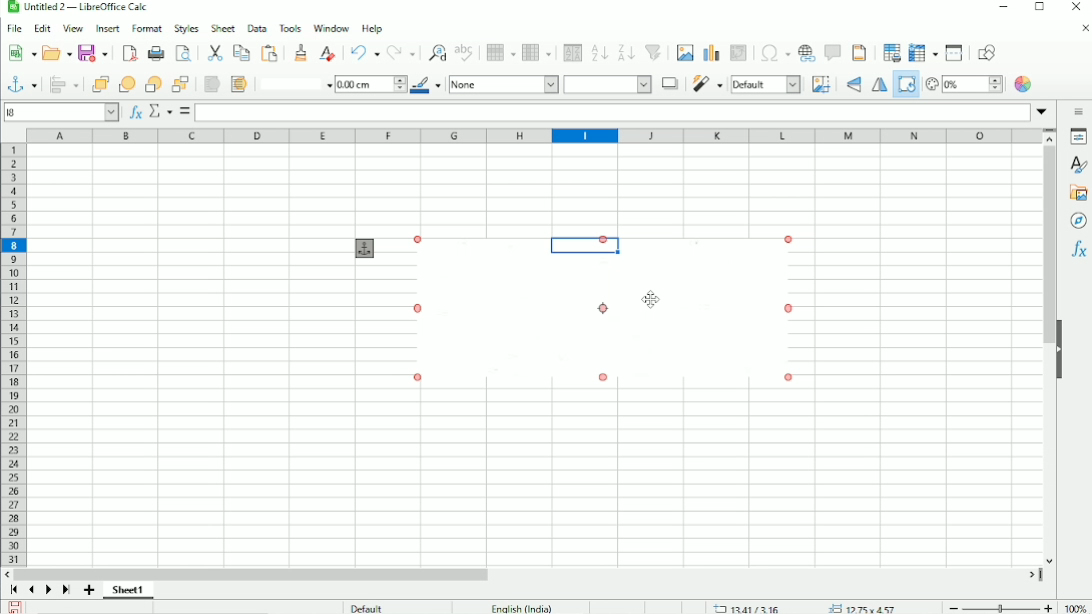 This screenshot has height=614, width=1092. I want to click on Freeze rows and columns, so click(923, 53).